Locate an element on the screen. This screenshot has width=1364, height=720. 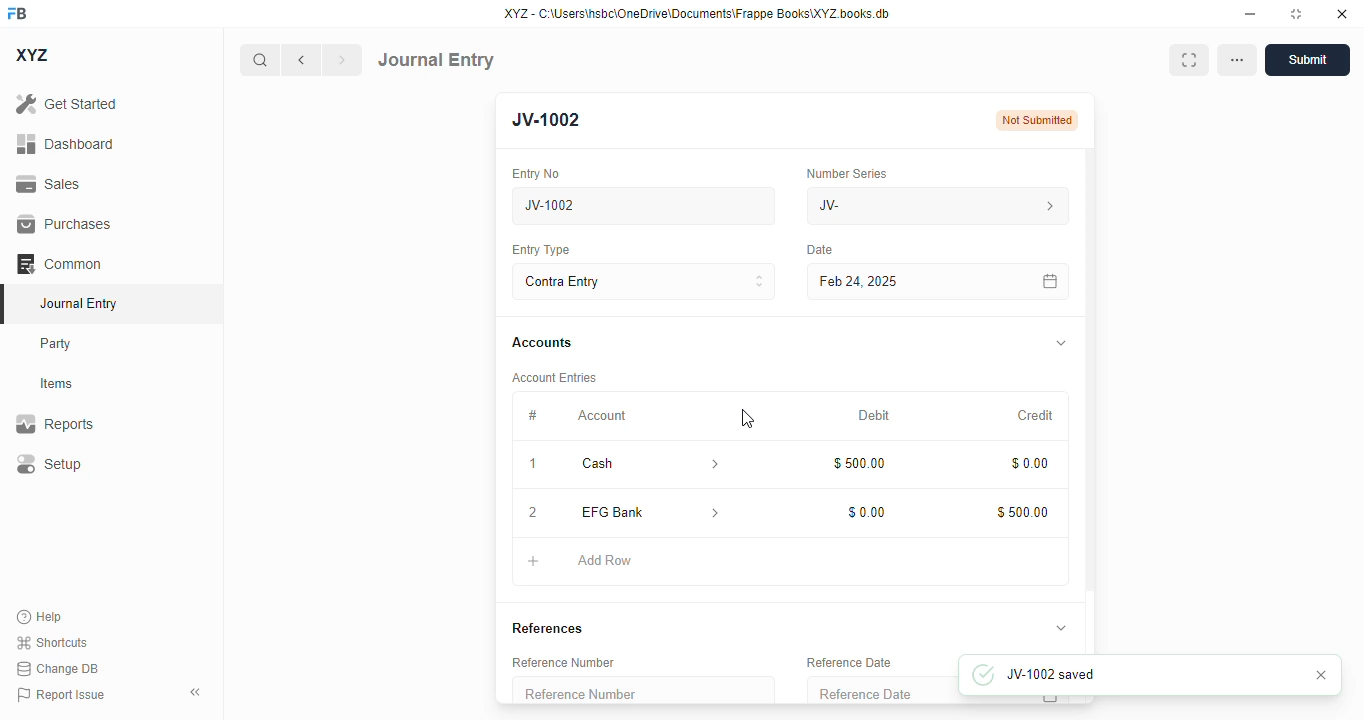
reference date is located at coordinates (880, 690).